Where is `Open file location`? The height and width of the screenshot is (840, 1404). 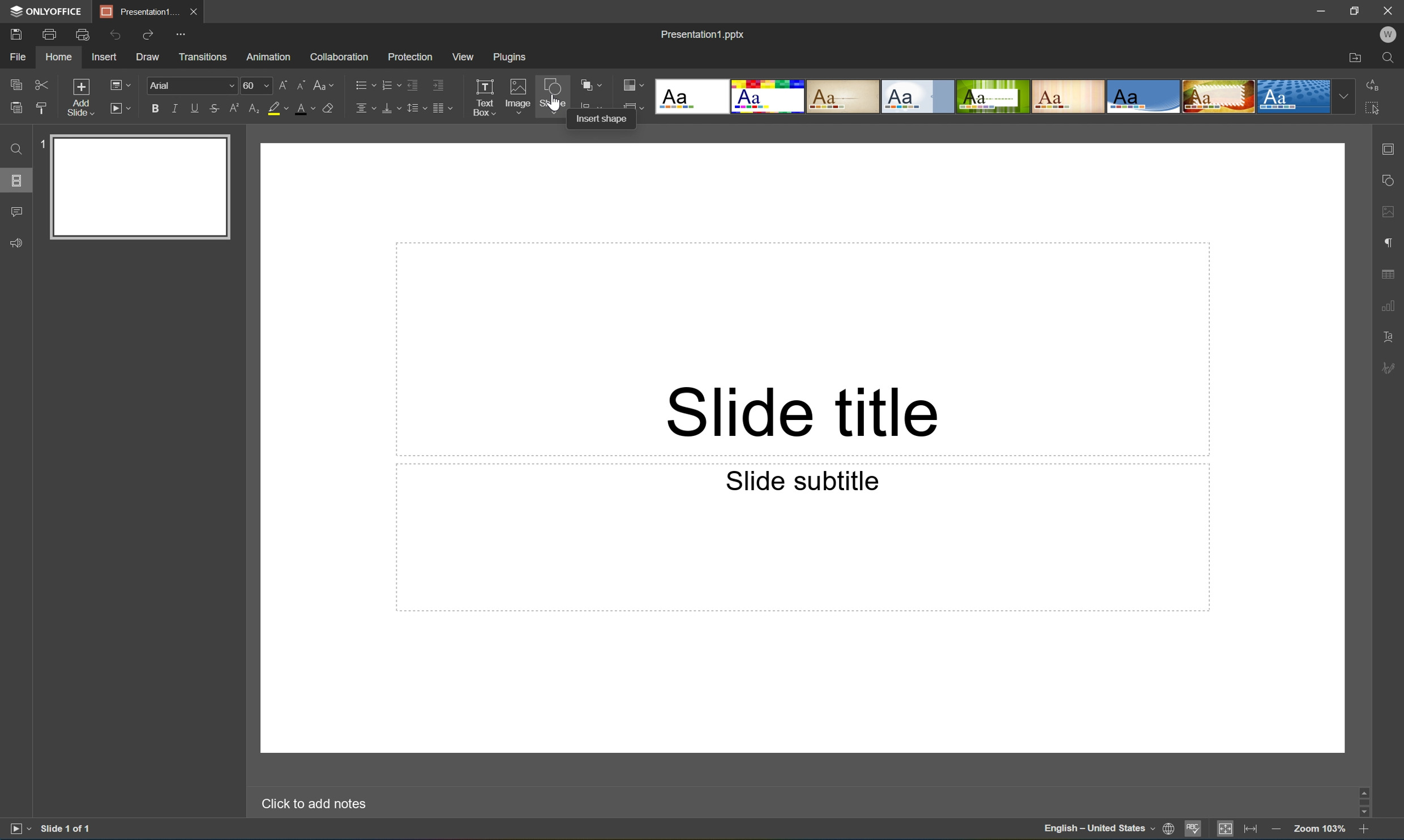
Open file location is located at coordinates (1354, 58).